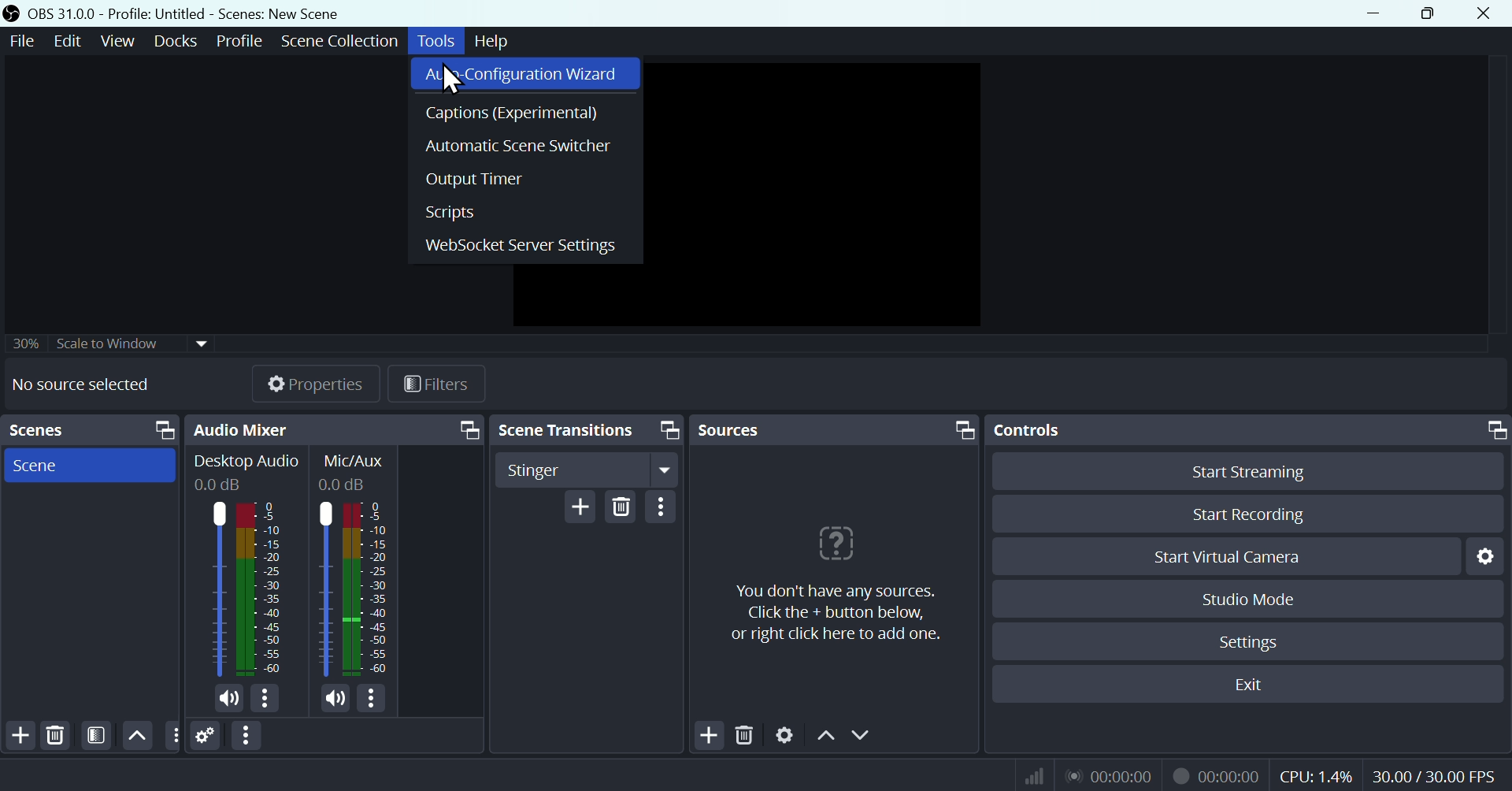 The width and height of the screenshot is (1512, 791). Describe the element at coordinates (524, 244) in the screenshot. I see `Web Socket server setting` at that location.